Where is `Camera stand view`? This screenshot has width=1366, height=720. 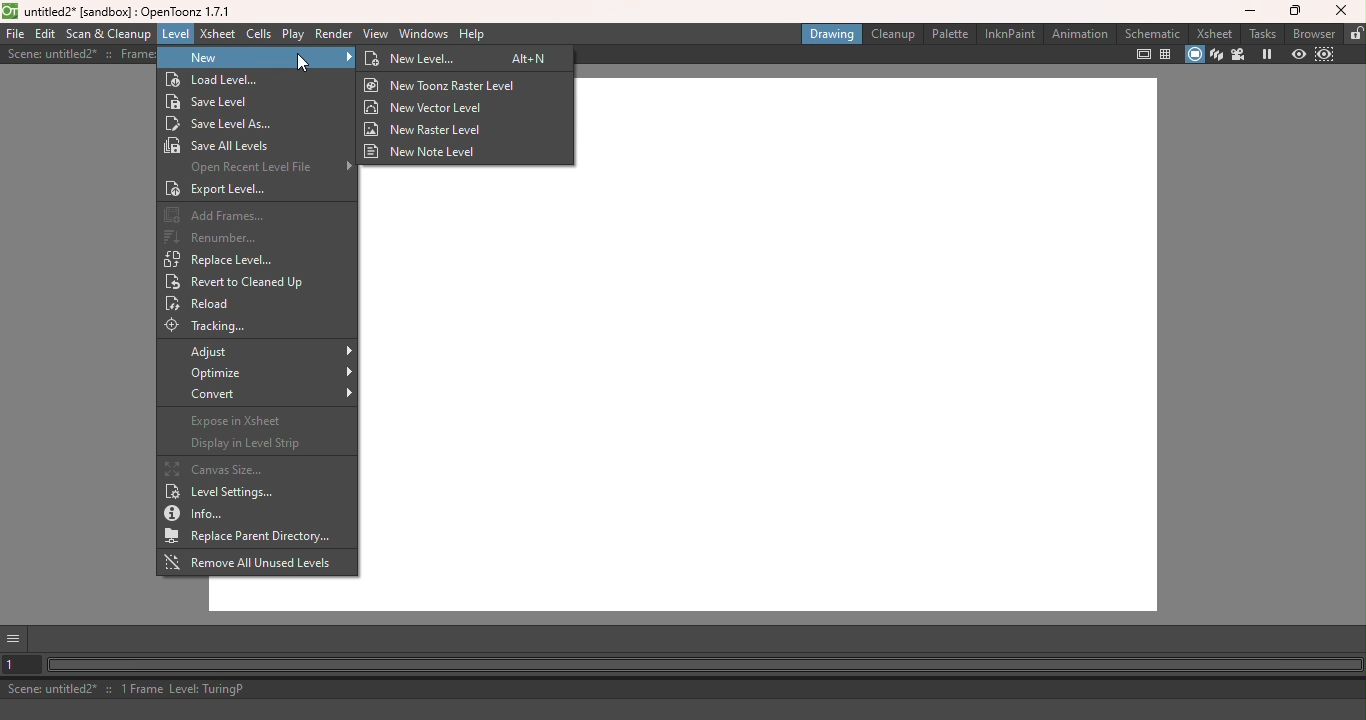 Camera stand view is located at coordinates (1195, 55).